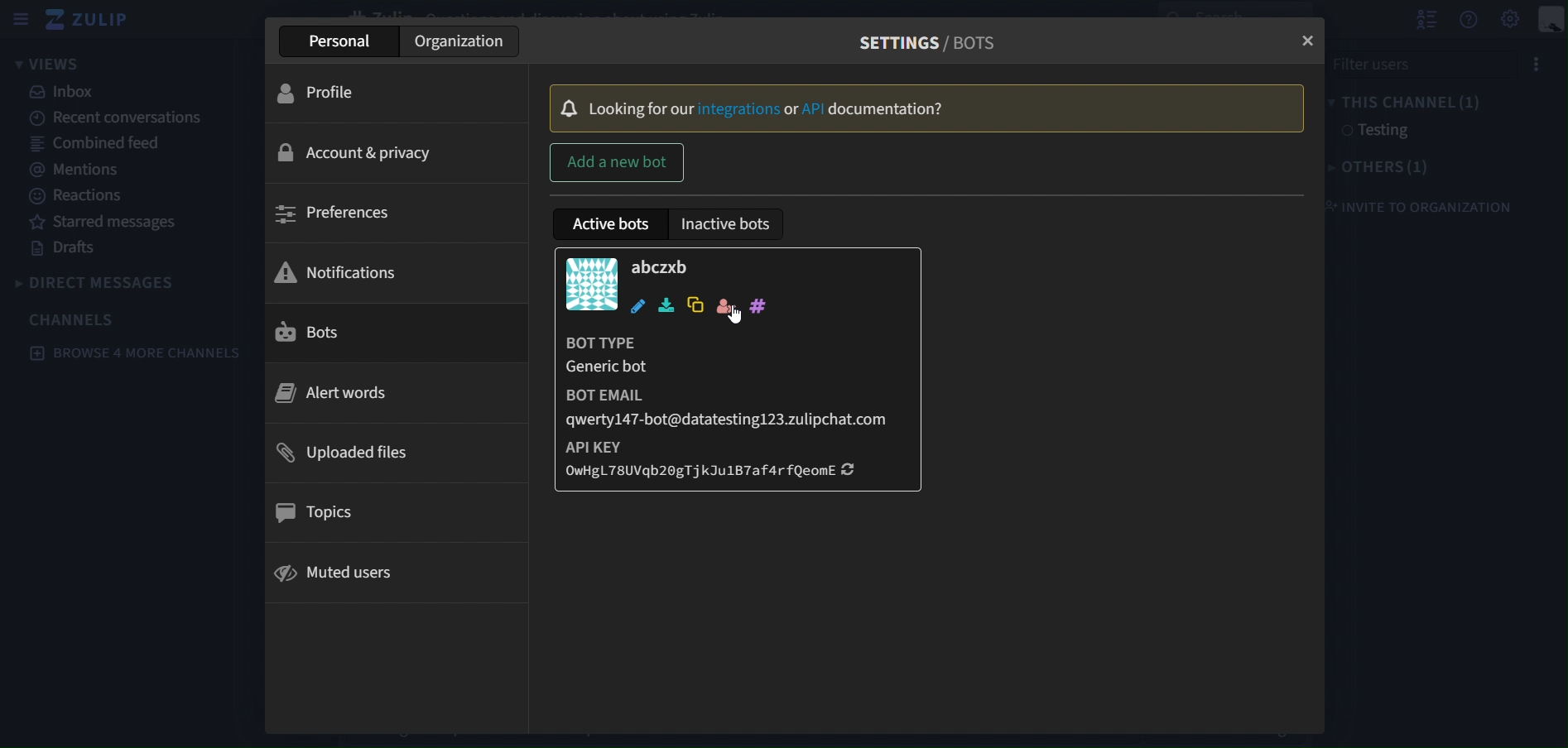 This screenshot has width=1568, height=748. What do you see at coordinates (731, 408) in the screenshot?
I see `bot information` at bounding box center [731, 408].